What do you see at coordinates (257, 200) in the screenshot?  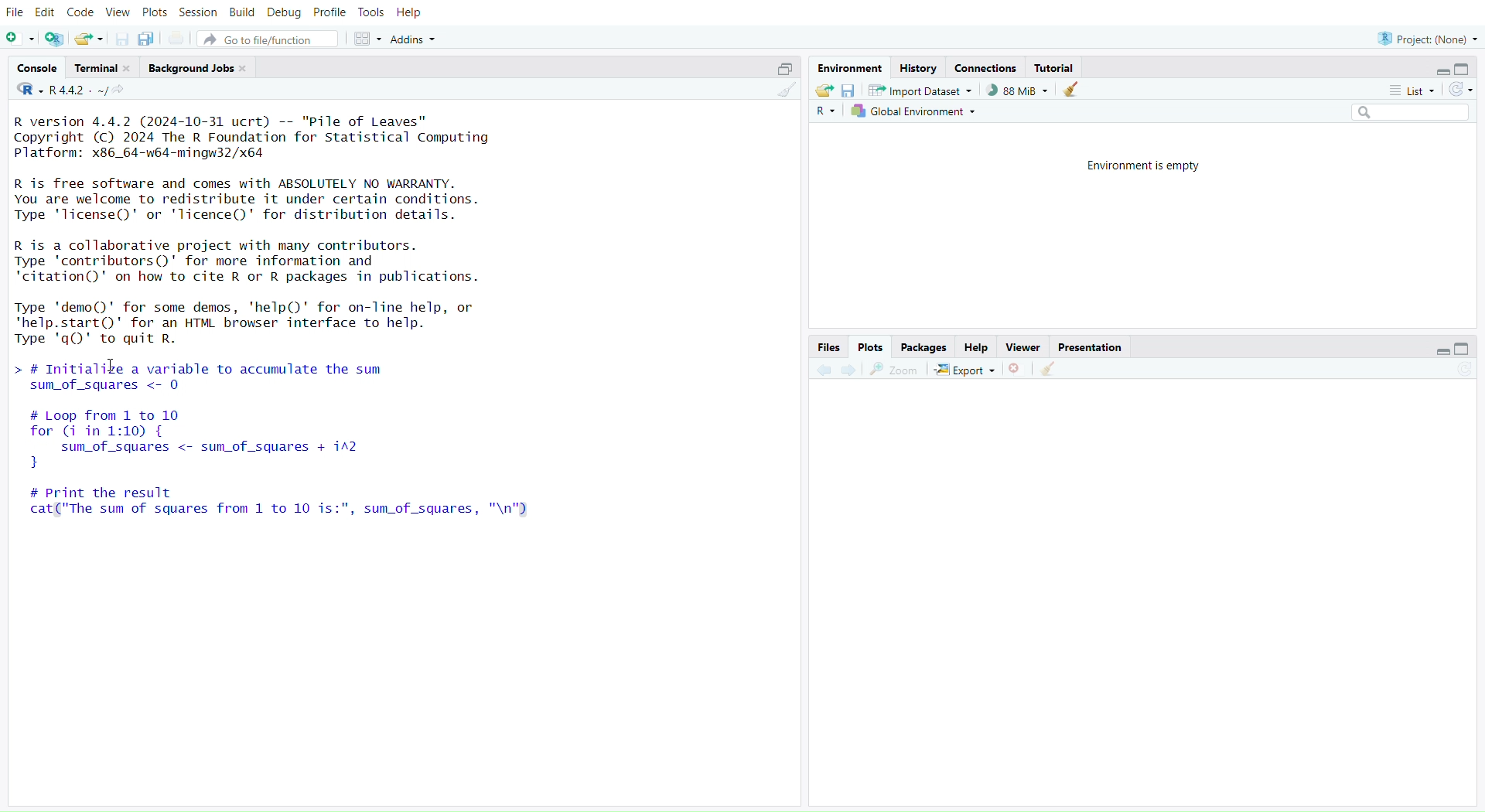 I see `R is free software and comes with ABSOLUTELY NO WARRANTY.
You are welcome to redistribute it under certain conditions.
Type 'license()' or 'licence()' for distribution details.` at bounding box center [257, 200].